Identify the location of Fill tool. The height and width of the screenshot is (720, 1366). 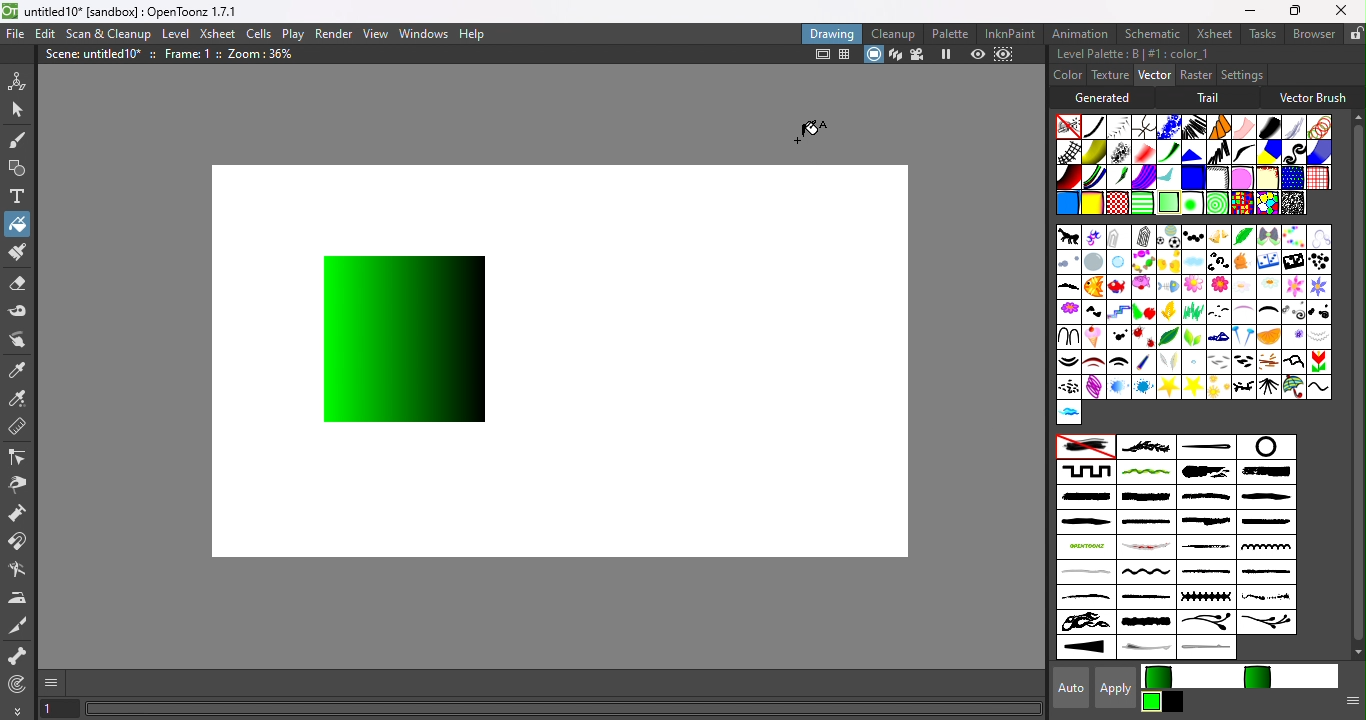
(17, 223).